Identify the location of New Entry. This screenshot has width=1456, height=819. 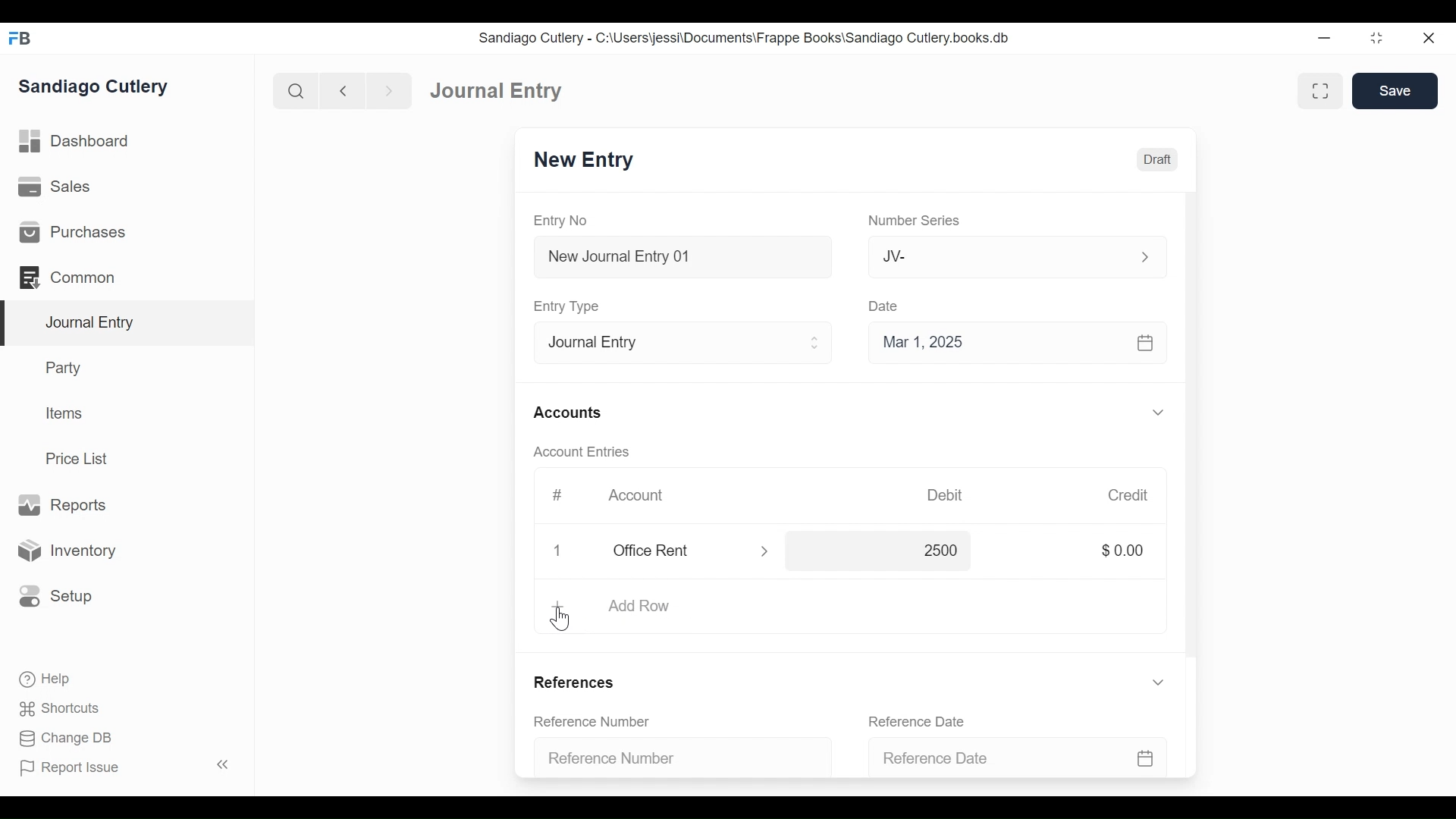
(585, 161).